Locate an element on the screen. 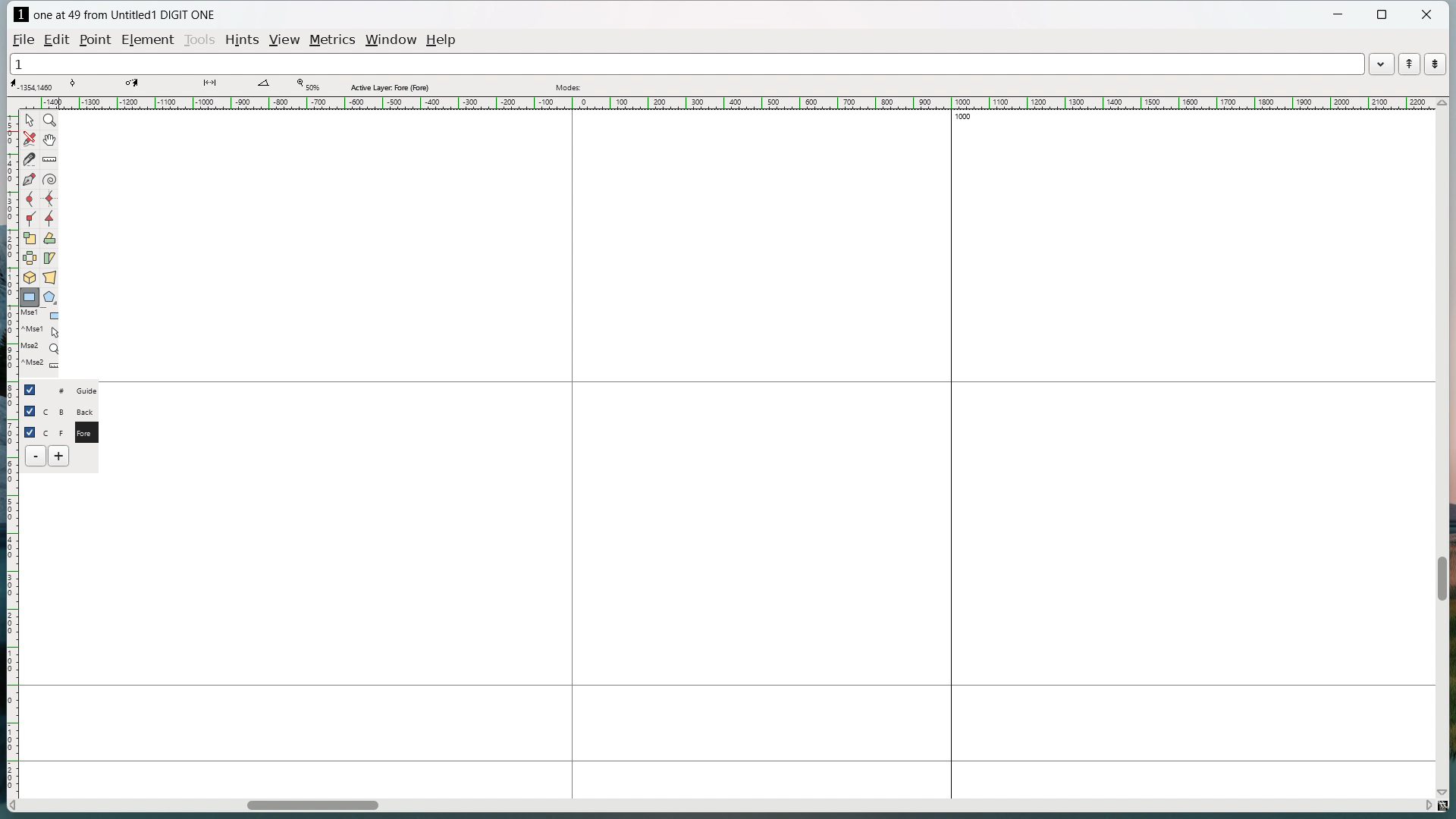  tools is located at coordinates (199, 41).